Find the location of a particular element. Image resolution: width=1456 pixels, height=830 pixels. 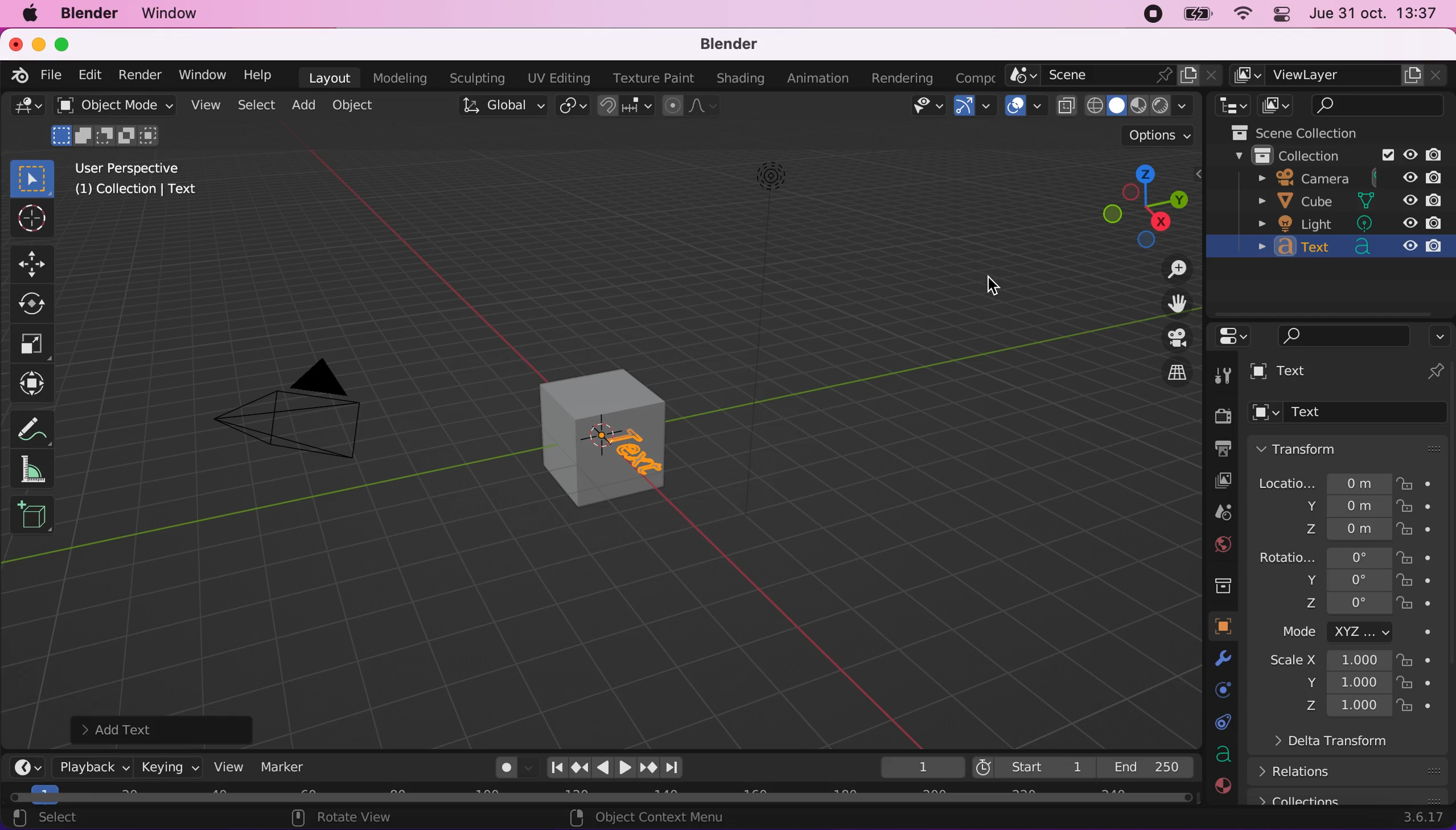

data is located at coordinates (1226, 754).